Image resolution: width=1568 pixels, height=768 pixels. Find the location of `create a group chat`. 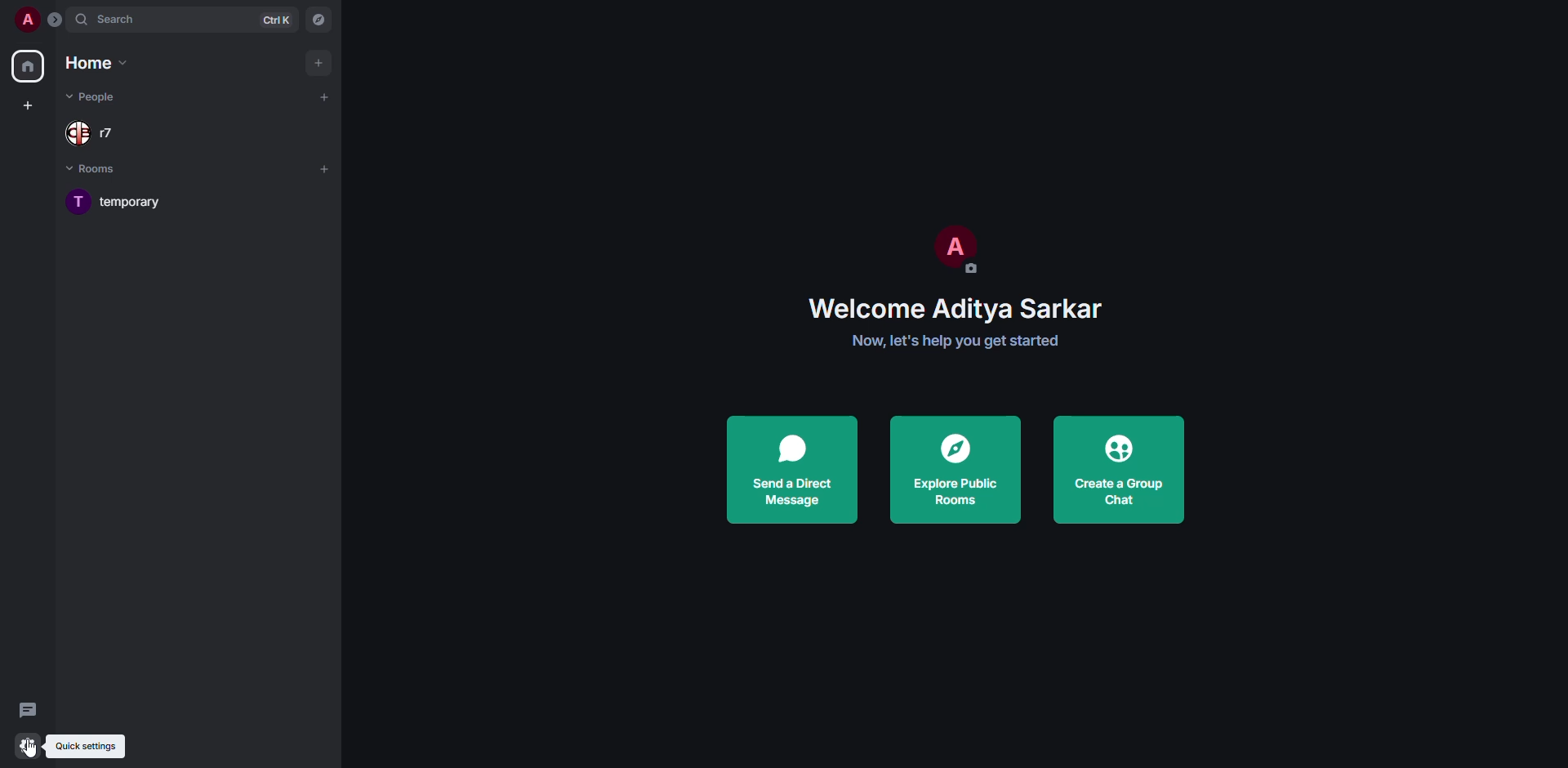

create a group chat is located at coordinates (1120, 470).